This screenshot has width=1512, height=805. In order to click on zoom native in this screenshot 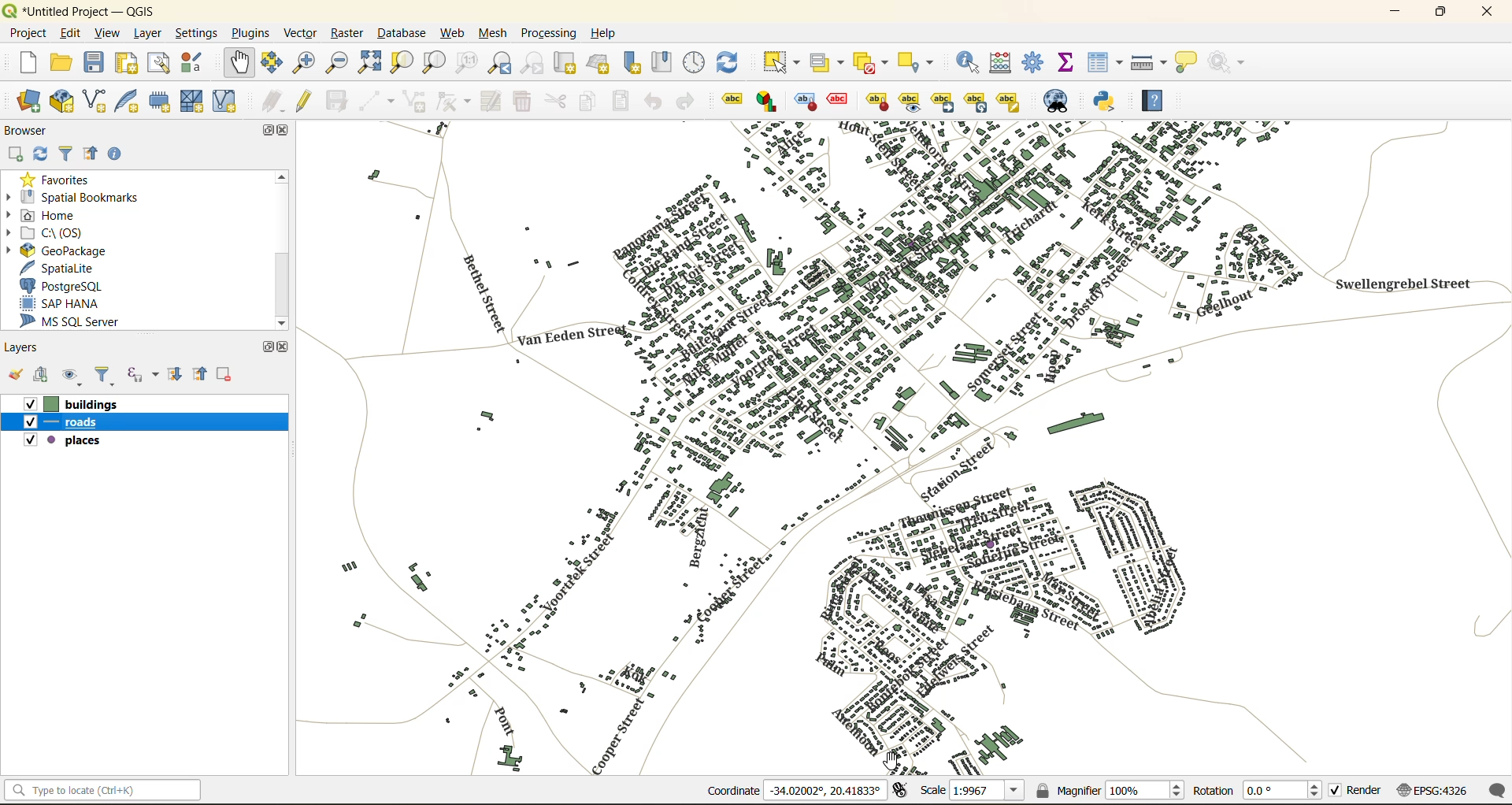, I will do `click(464, 62)`.